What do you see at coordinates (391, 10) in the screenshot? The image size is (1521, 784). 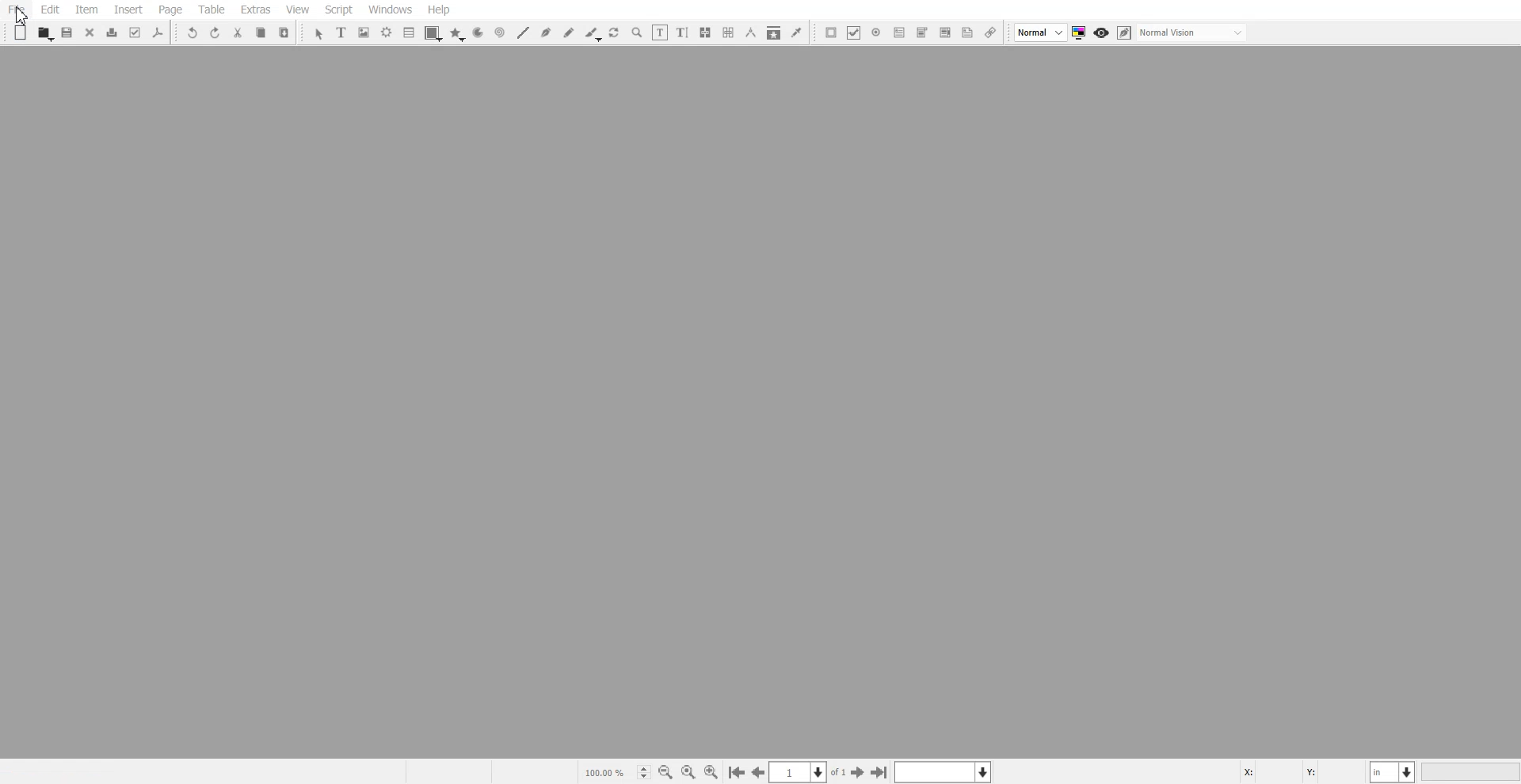 I see `Windows` at bounding box center [391, 10].